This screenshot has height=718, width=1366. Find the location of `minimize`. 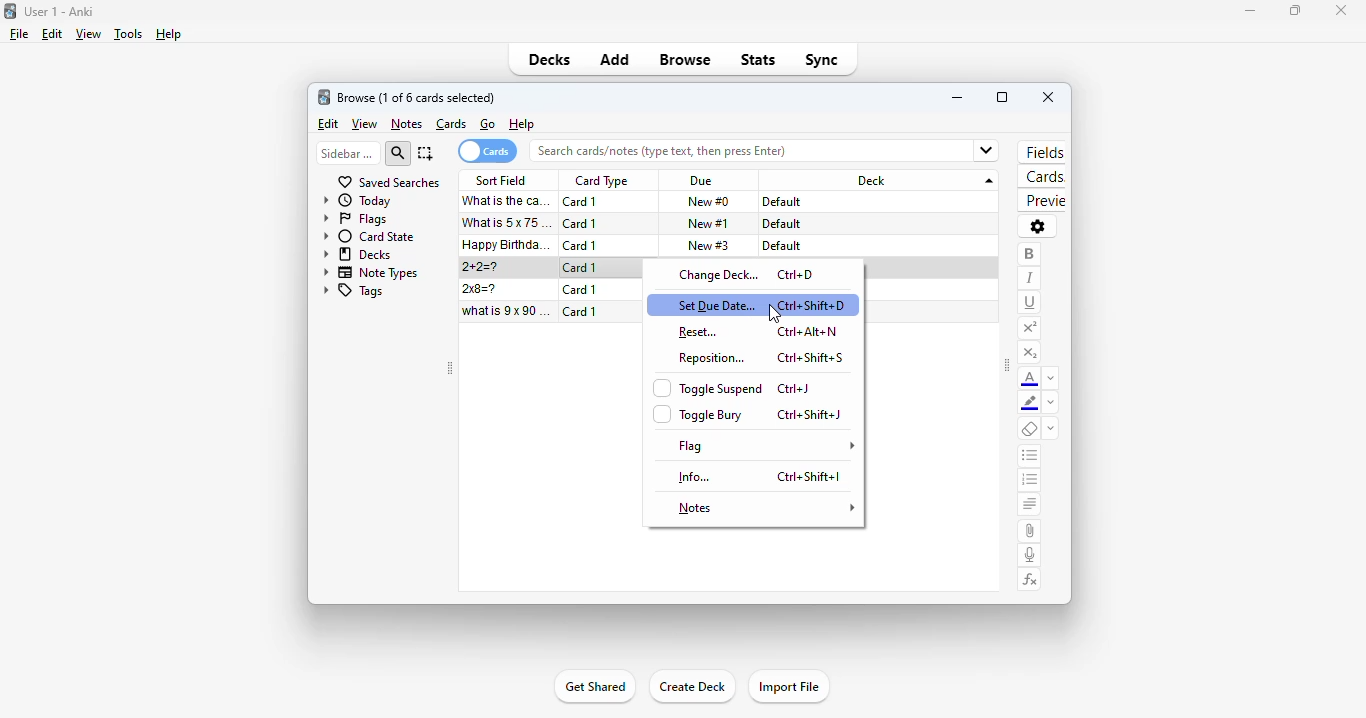

minimize is located at coordinates (958, 97).